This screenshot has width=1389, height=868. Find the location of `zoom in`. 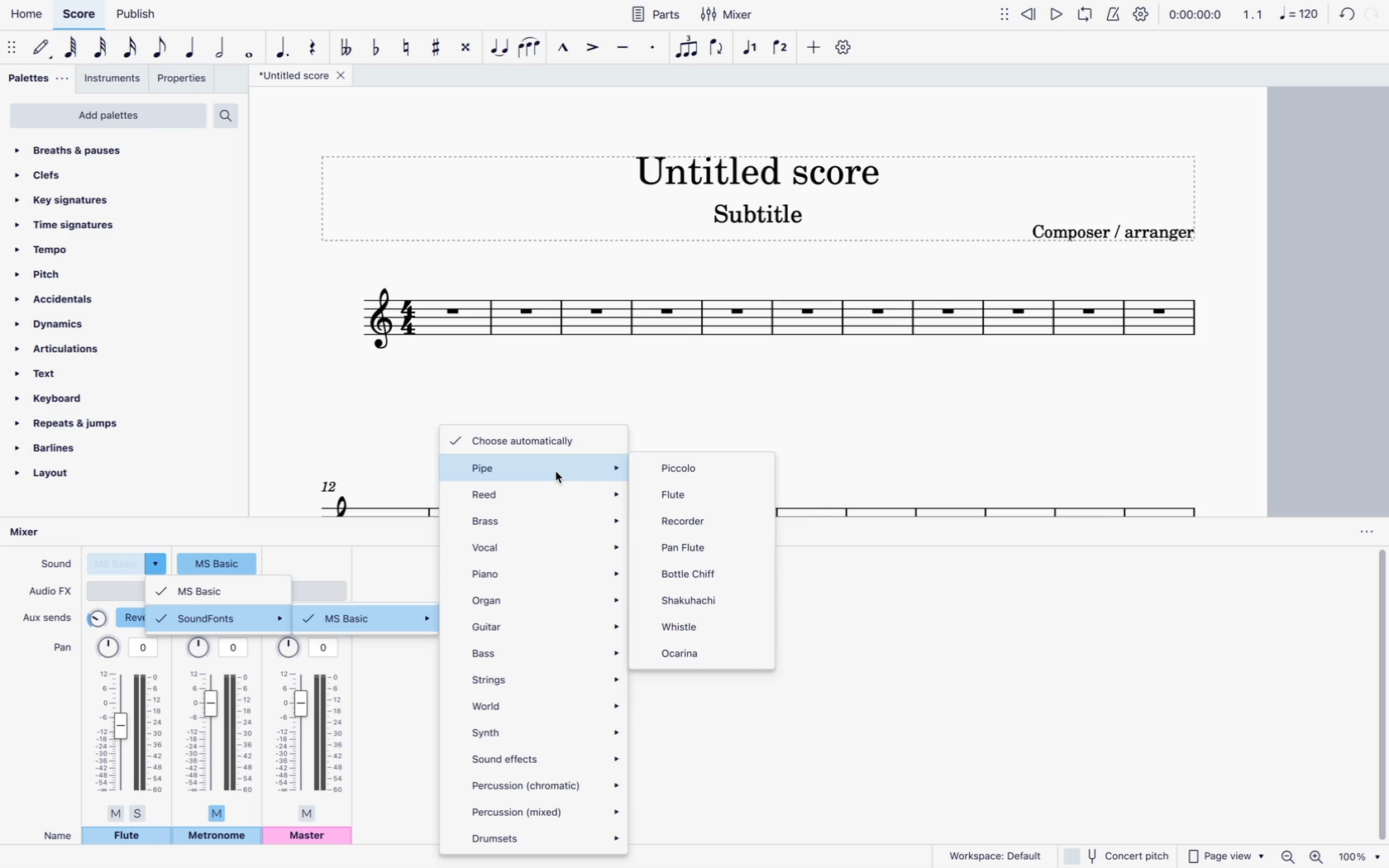

zoom in is located at coordinates (1318, 855).